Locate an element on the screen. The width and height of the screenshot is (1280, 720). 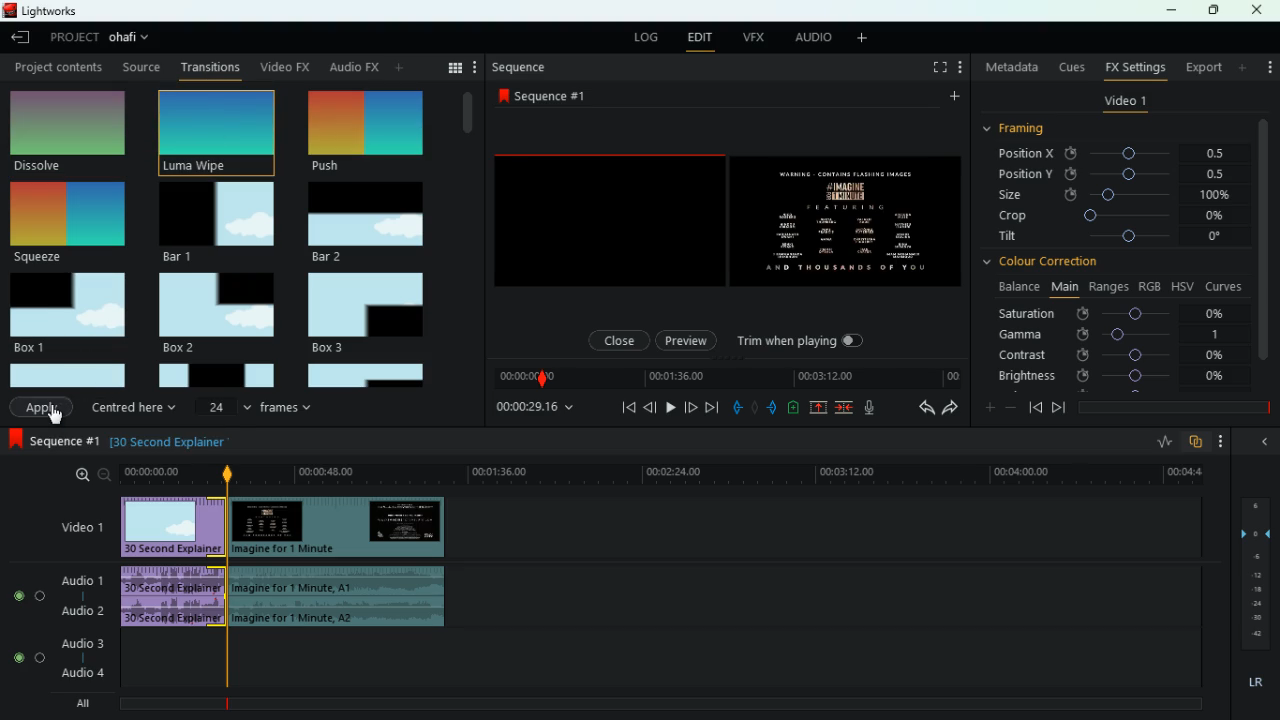
more is located at coordinates (475, 67).